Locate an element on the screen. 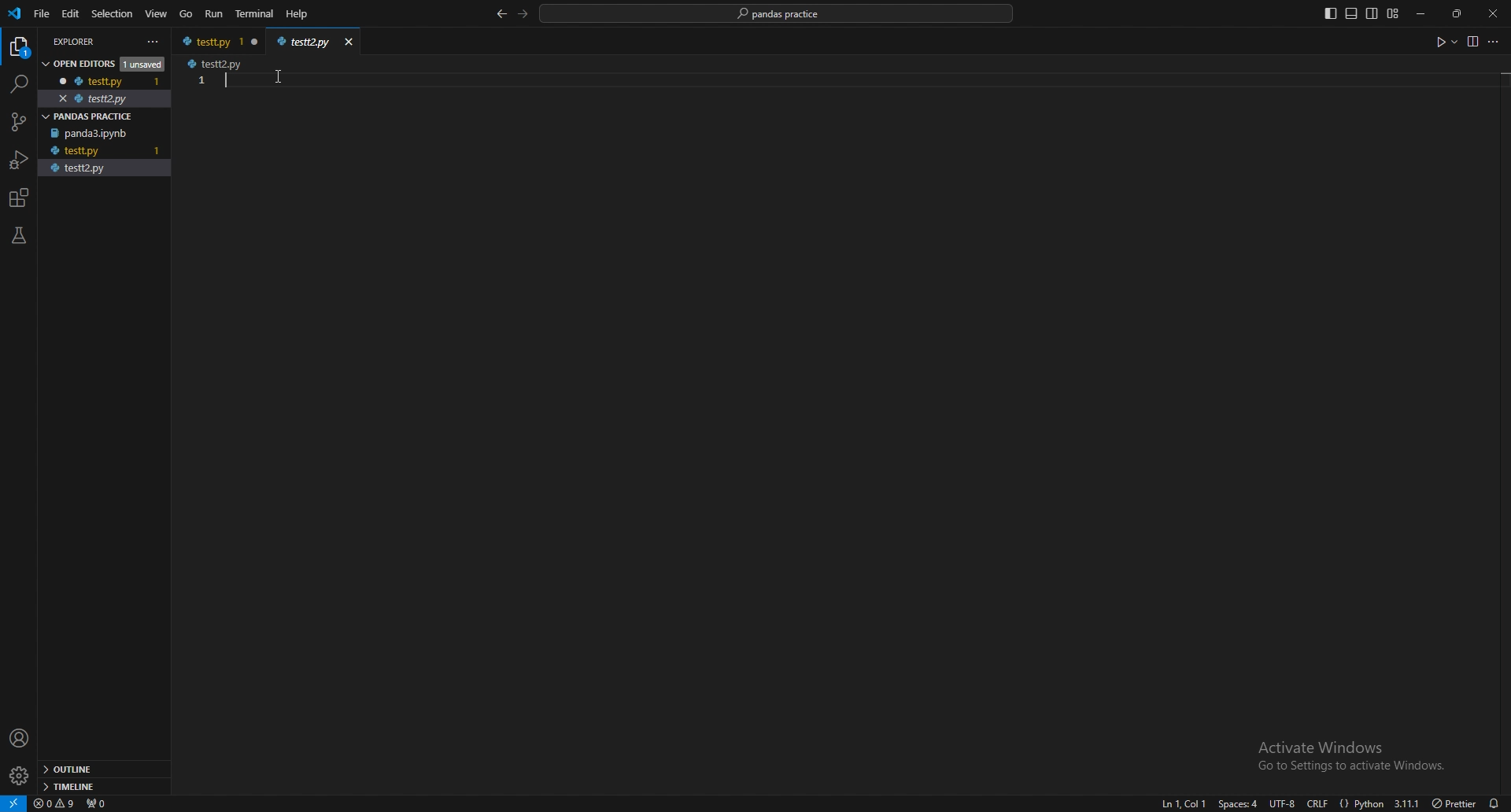  minimize is located at coordinates (1425, 14).